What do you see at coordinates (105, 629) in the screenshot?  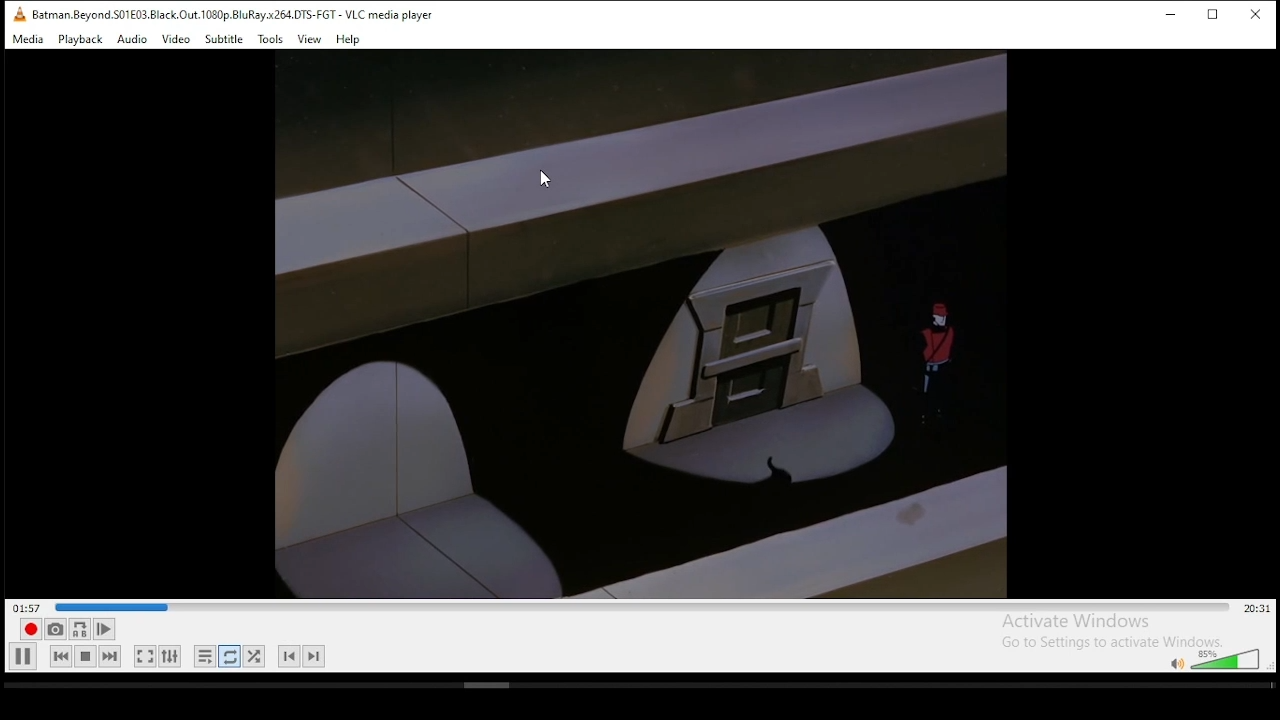 I see `frame by frame` at bounding box center [105, 629].